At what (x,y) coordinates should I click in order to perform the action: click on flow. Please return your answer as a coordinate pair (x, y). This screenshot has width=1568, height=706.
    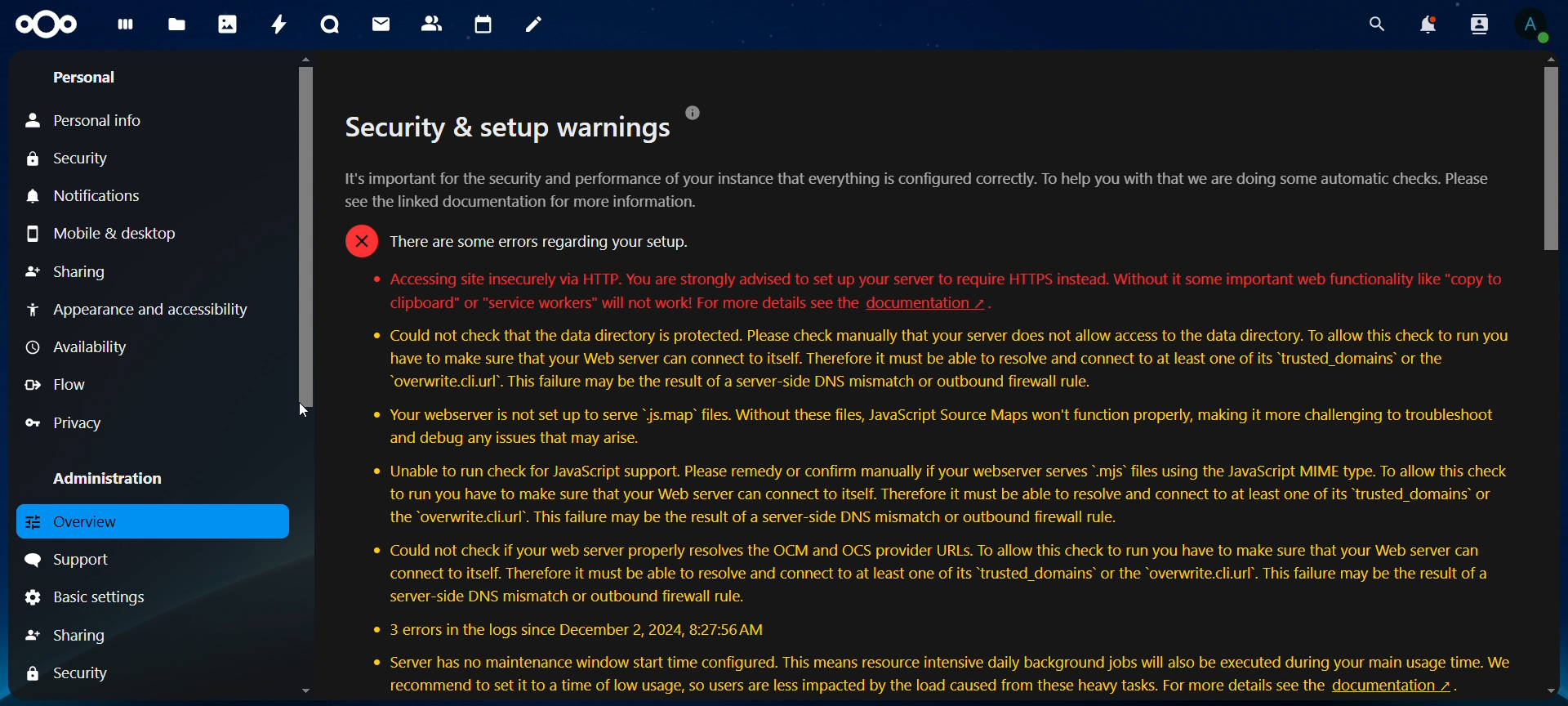
    Looking at the image, I should click on (60, 385).